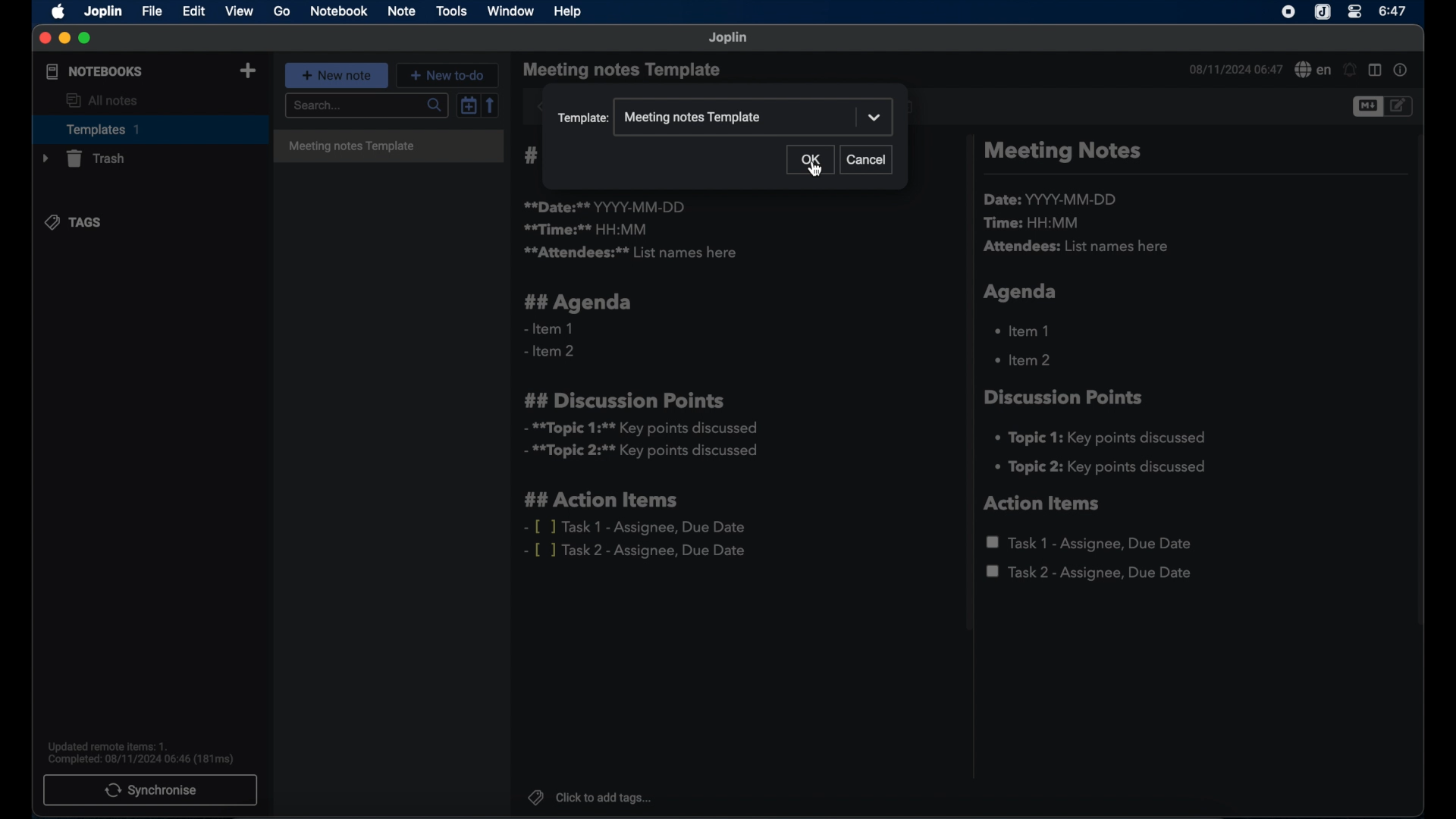  Describe the element at coordinates (729, 38) in the screenshot. I see `Joplin` at that location.